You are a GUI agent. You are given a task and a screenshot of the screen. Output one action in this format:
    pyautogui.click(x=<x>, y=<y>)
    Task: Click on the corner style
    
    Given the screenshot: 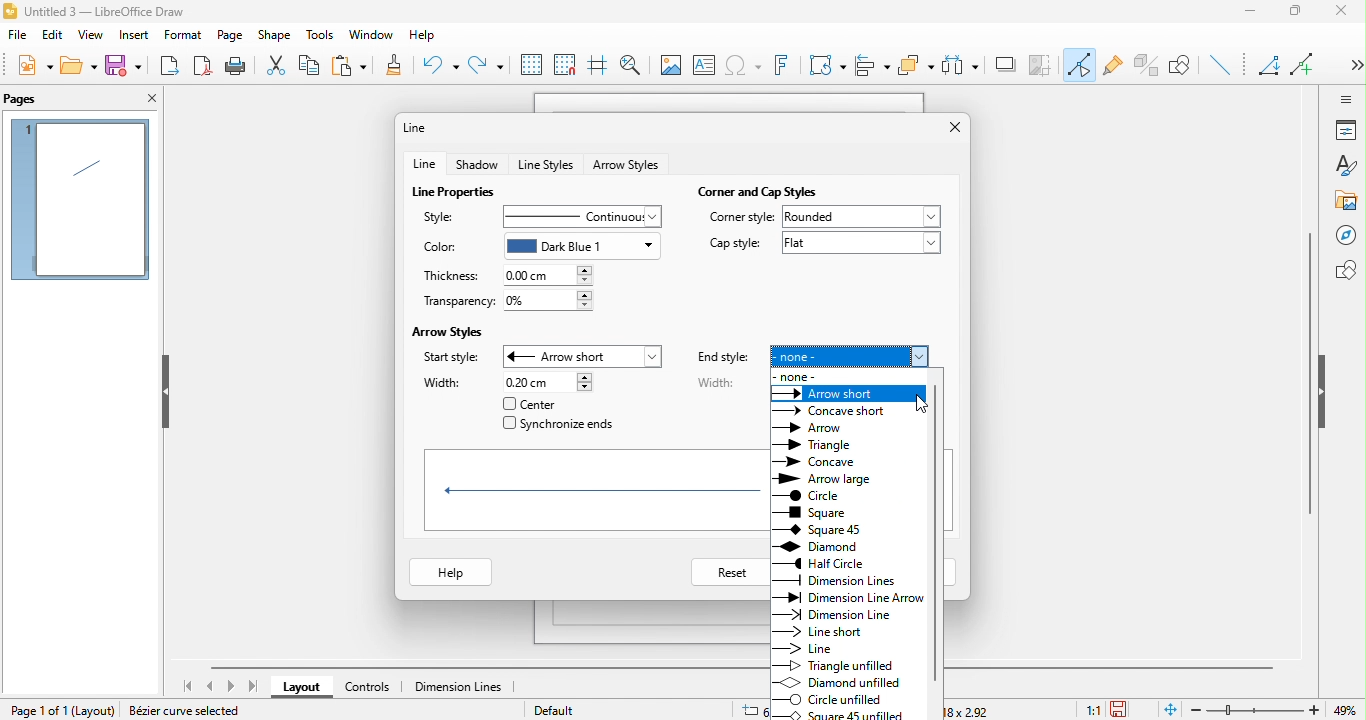 What is the action you would take?
    pyautogui.click(x=742, y=219)
    